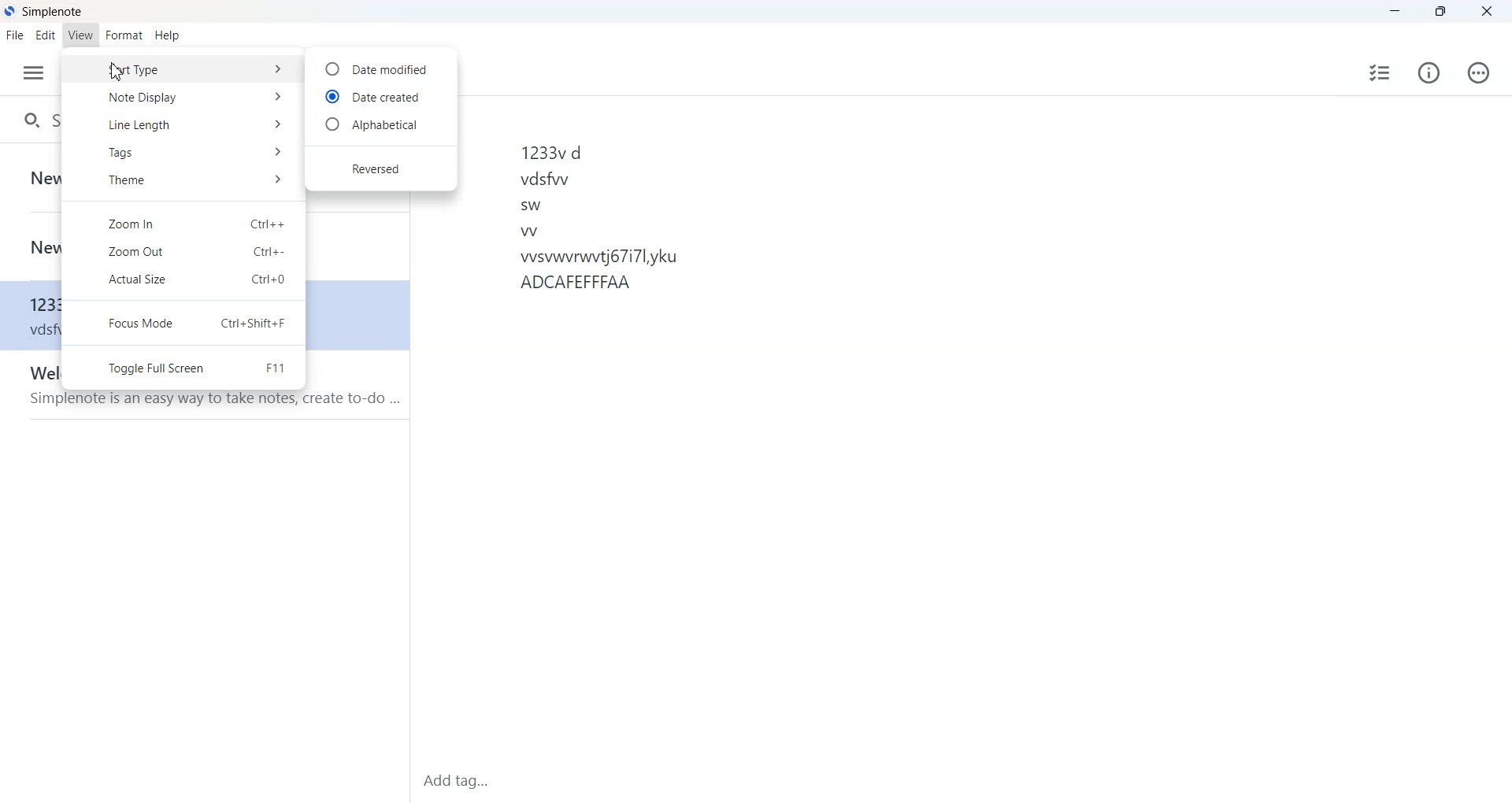  Describe the element at coordinates (184, 323) in the screenshot. I see `Focus Mode` at that location.